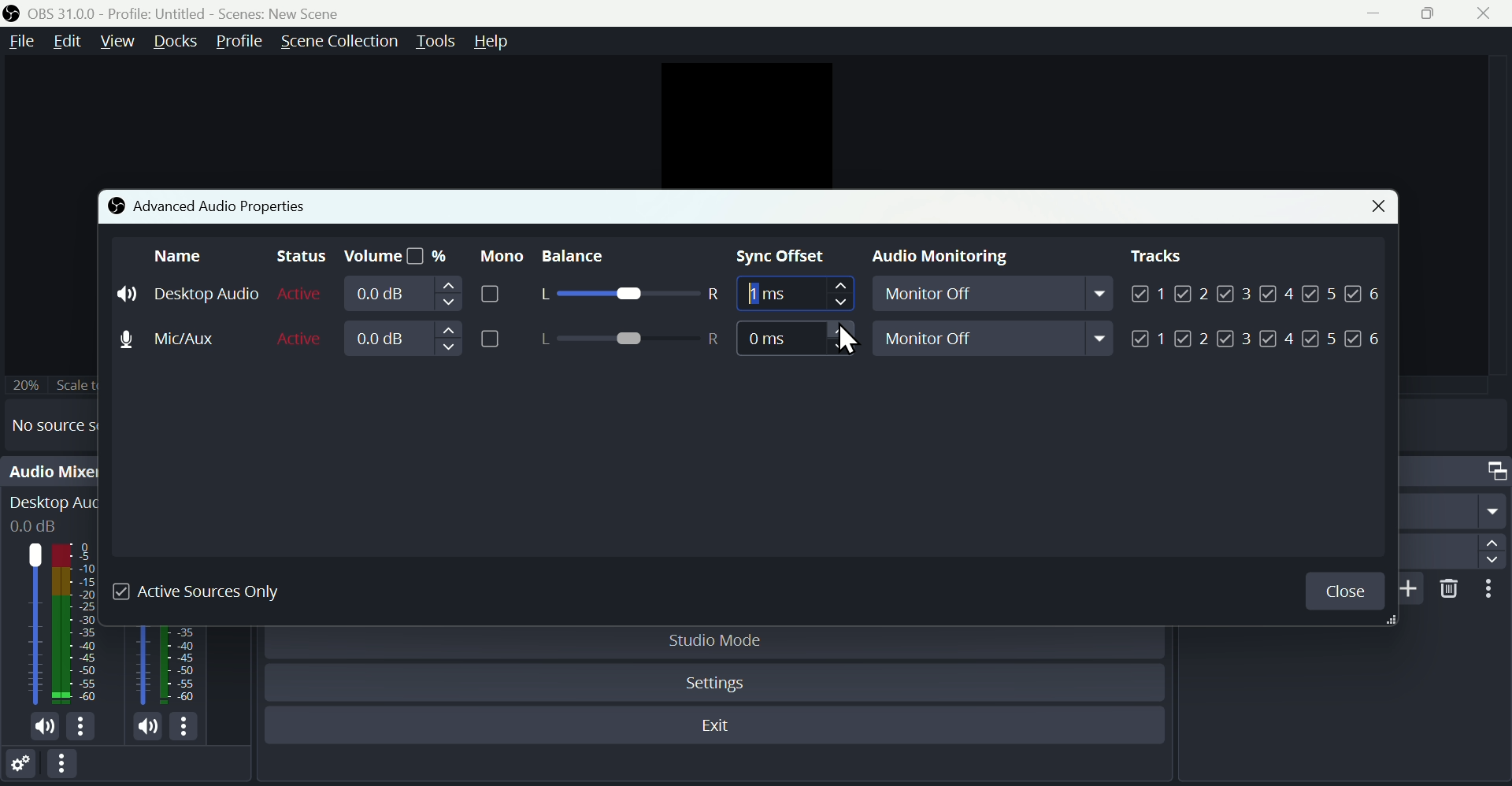 The height and width of the screenshot is (786, 1512). Describe the element at coordinates (1323, 291) in the screenshot. I see `(un)check Track 5` at that location.